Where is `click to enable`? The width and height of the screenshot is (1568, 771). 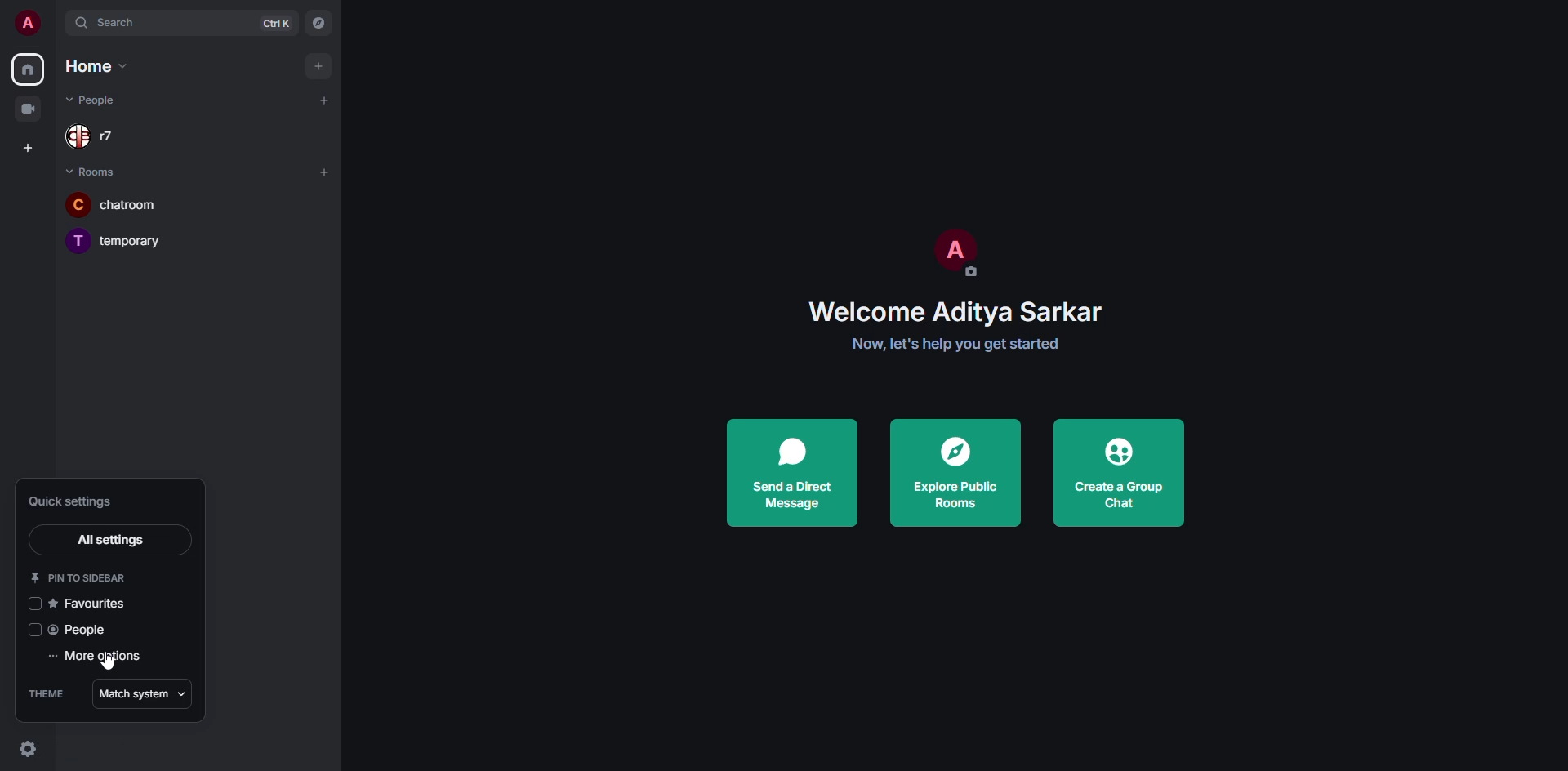 click to enable is located at coordinates (33, 631).